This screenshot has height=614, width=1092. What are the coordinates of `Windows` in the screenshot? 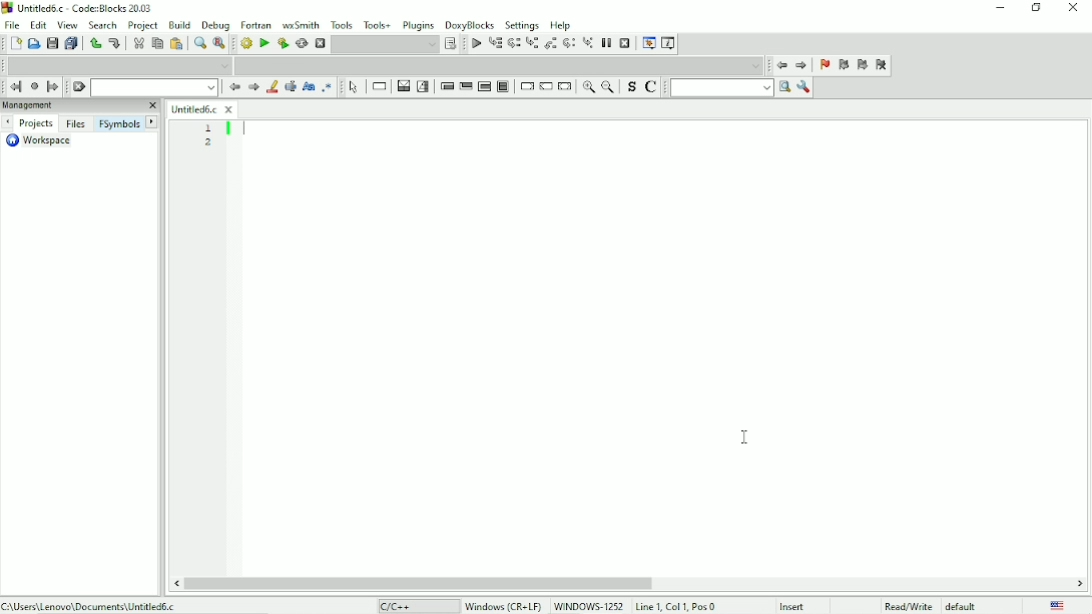 It's located at (543, 605).